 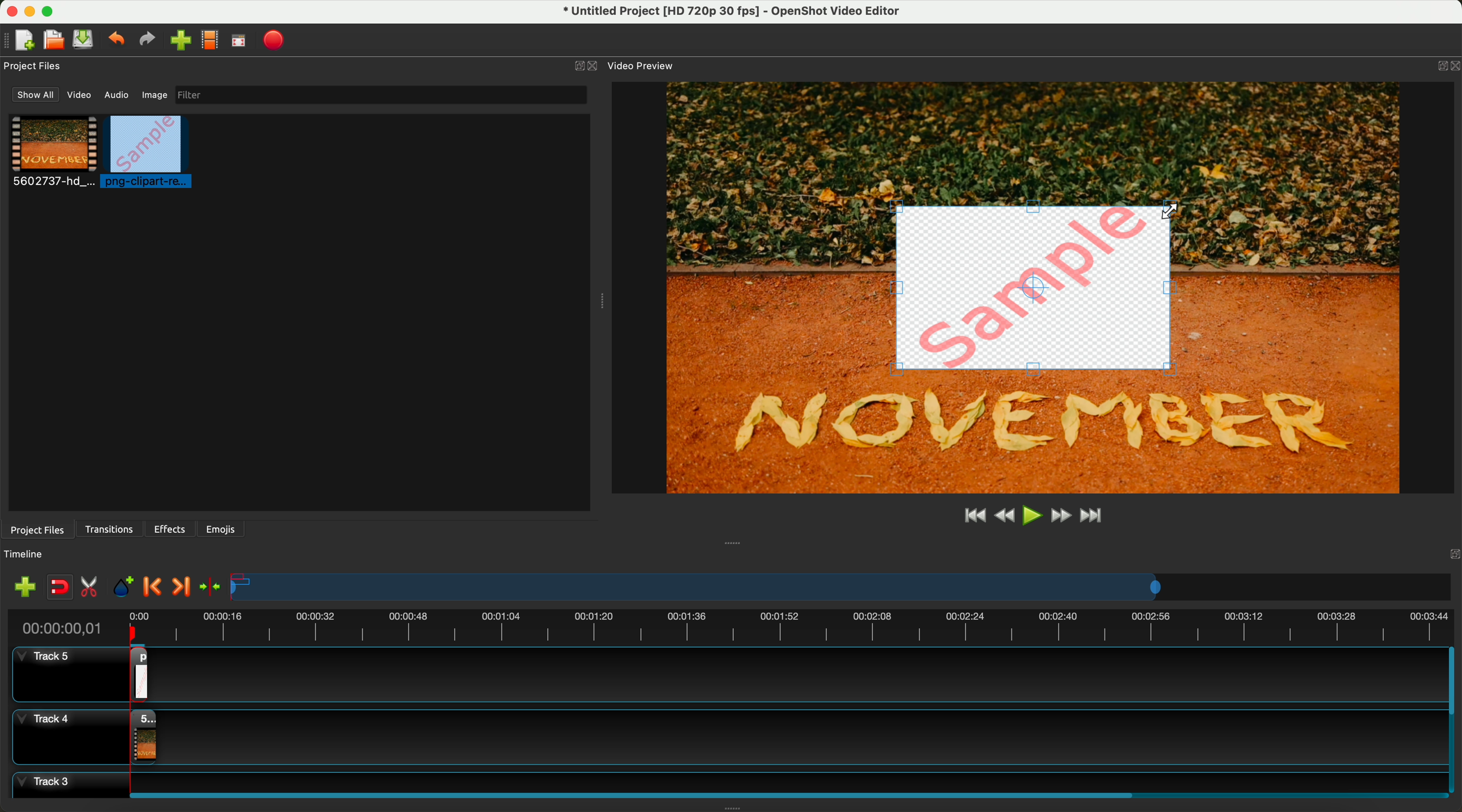 I want to click on Window Expanding, so click(x=733, y=808).